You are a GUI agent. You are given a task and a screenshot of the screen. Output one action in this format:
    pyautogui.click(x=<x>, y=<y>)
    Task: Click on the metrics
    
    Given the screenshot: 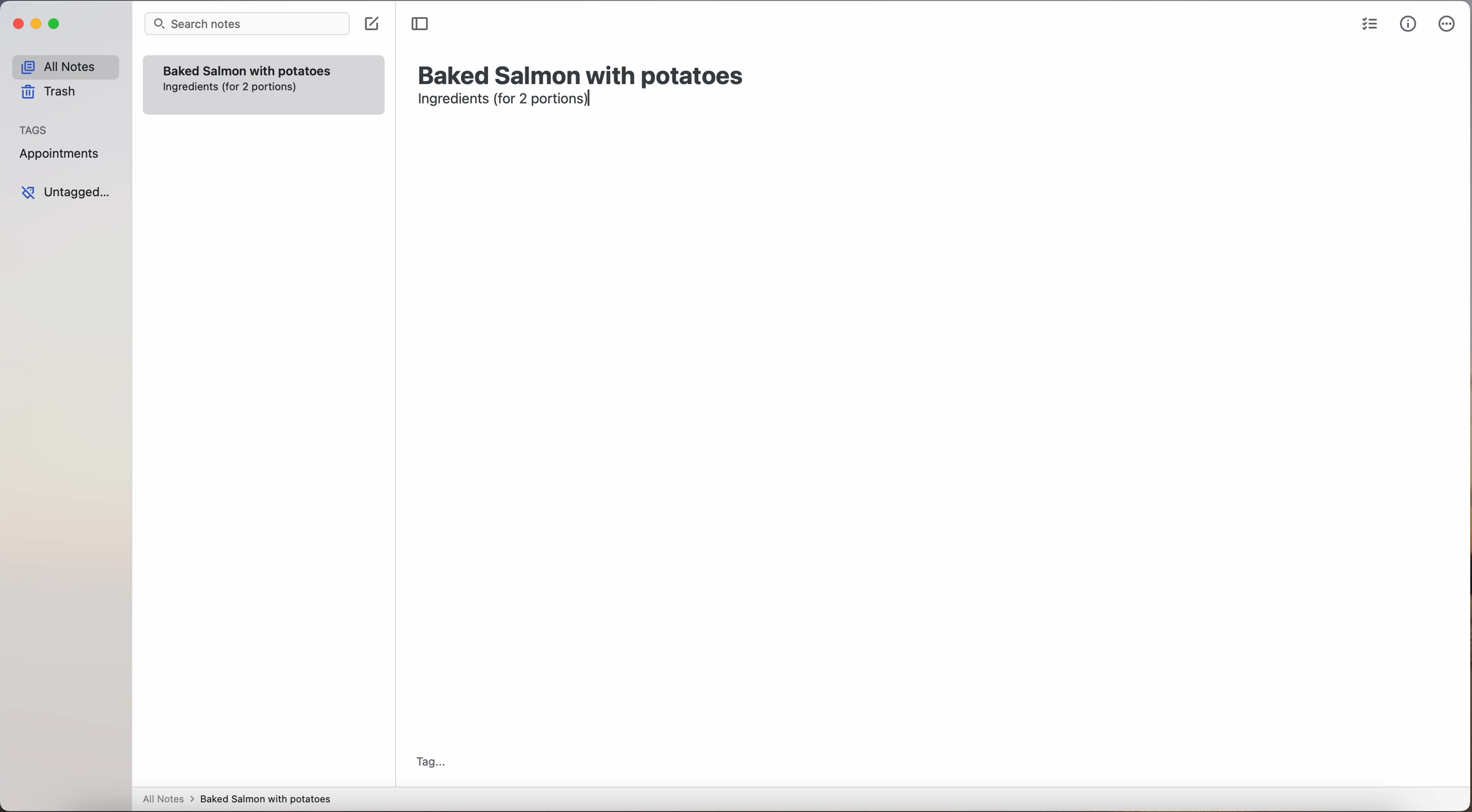 What is the action you would take?
    pyautogui.click(x=1407, y=24)
    